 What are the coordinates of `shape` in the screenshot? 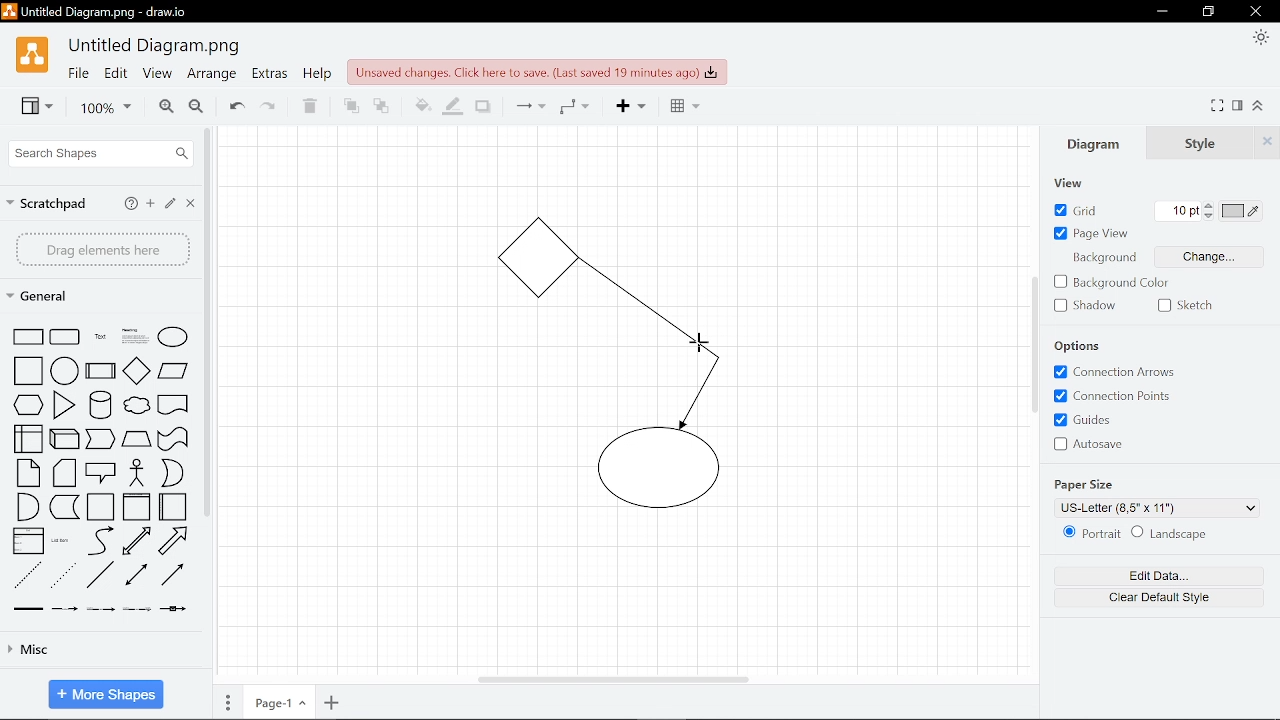 It's located at (173, 373).